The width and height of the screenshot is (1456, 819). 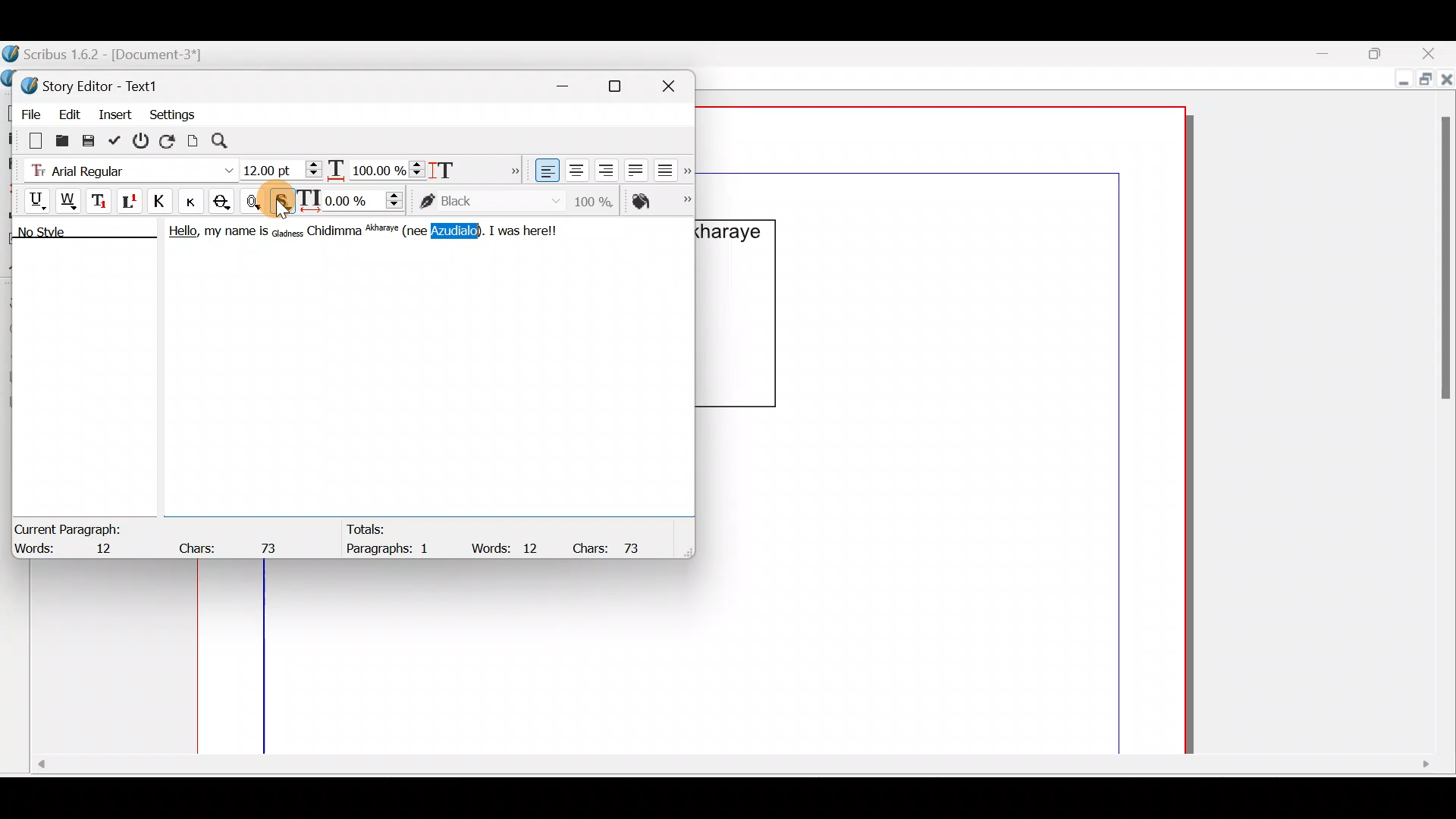 What do you see at coordinates (196, 201) in the screenshot?
I see `` at bounding box center [196, 201].